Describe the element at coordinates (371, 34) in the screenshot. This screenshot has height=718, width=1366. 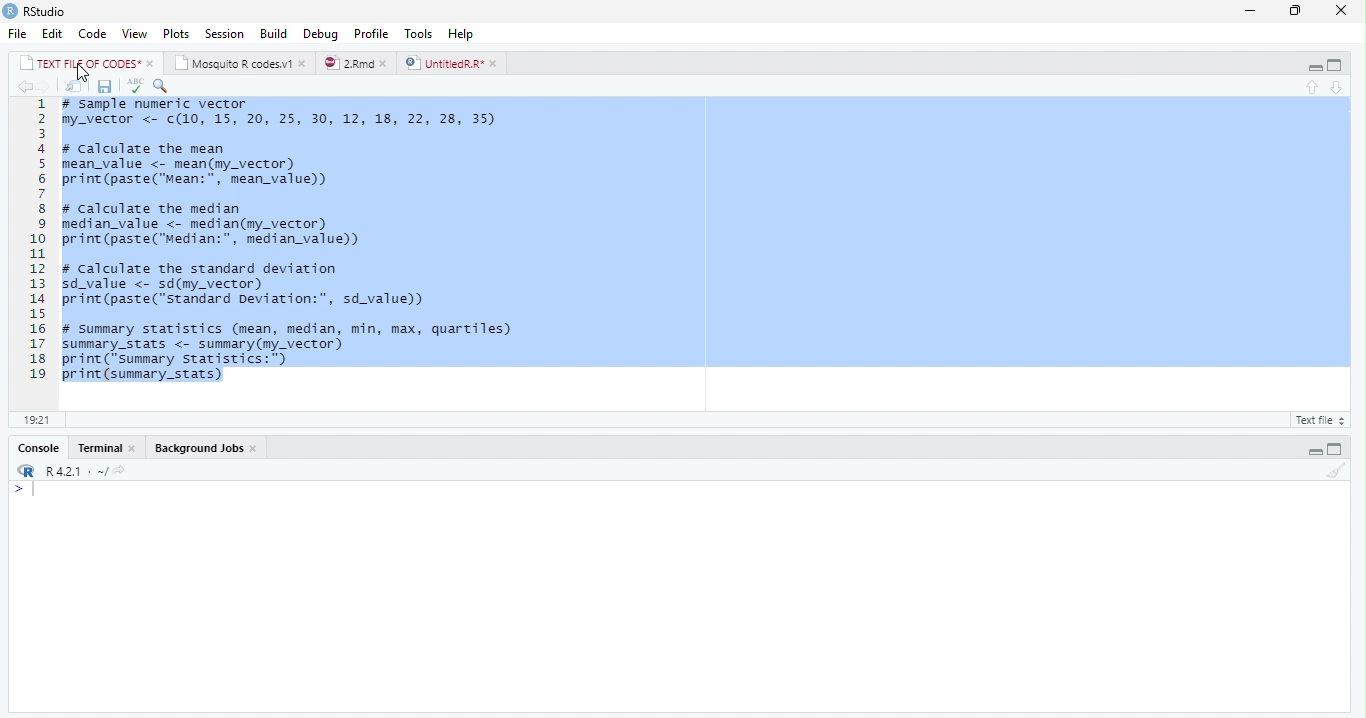
I see `profile` at that location.